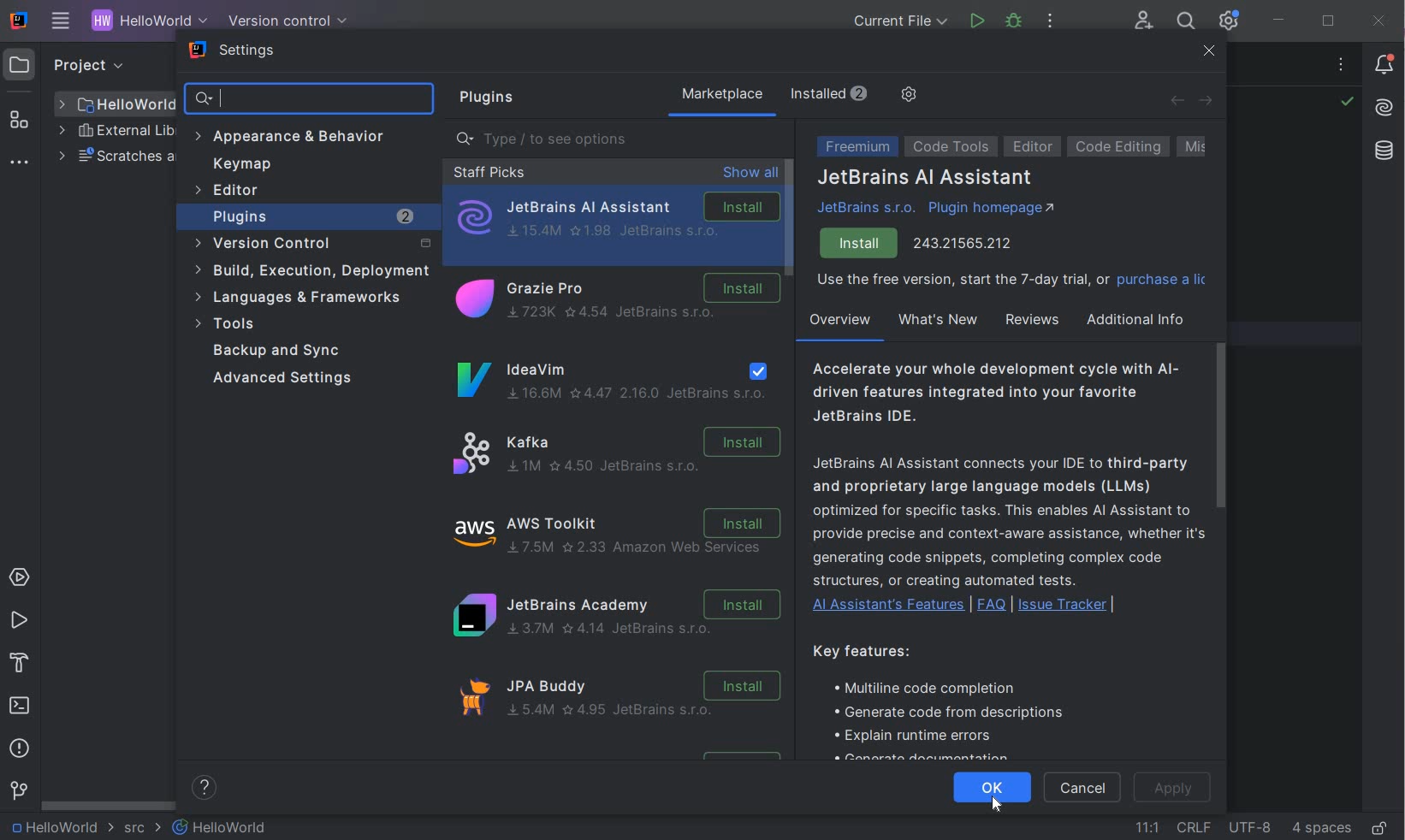  What do you see at coordinates (298, 136) in the screenshot?
I see `appearance & behavior` at bounding box center [298, 136].